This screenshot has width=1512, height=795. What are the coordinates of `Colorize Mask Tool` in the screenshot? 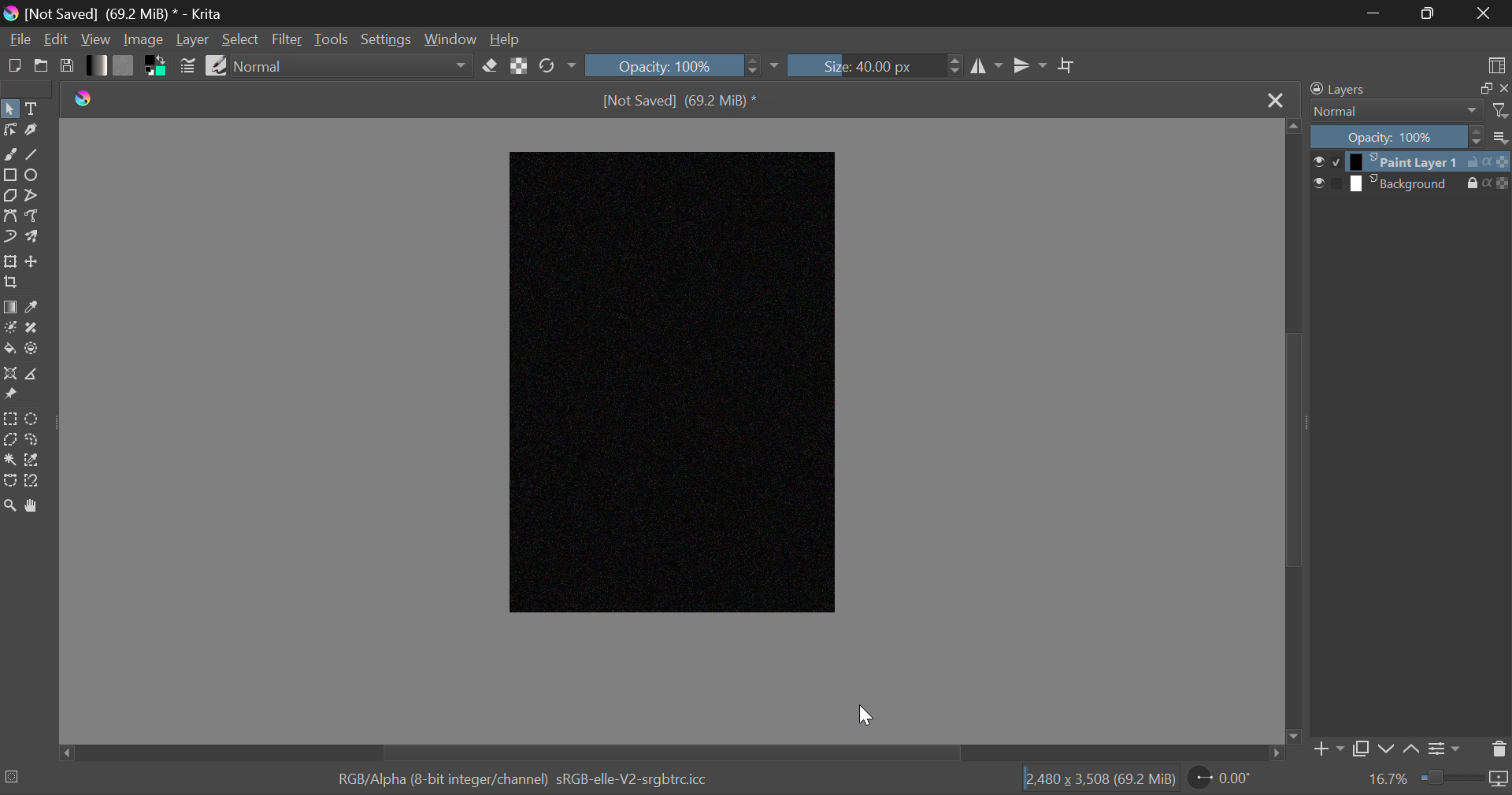 It's located at (11, 329).